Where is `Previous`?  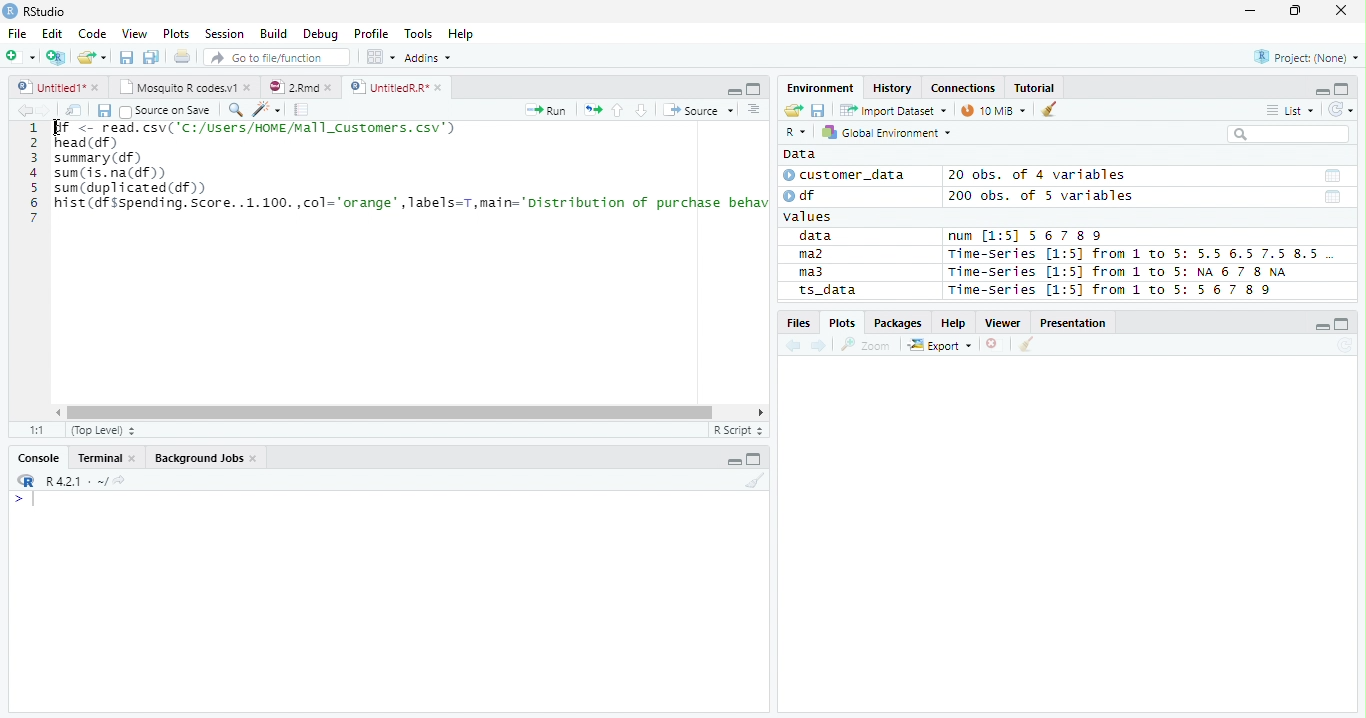 Previous is located at coordinates (796, 346).